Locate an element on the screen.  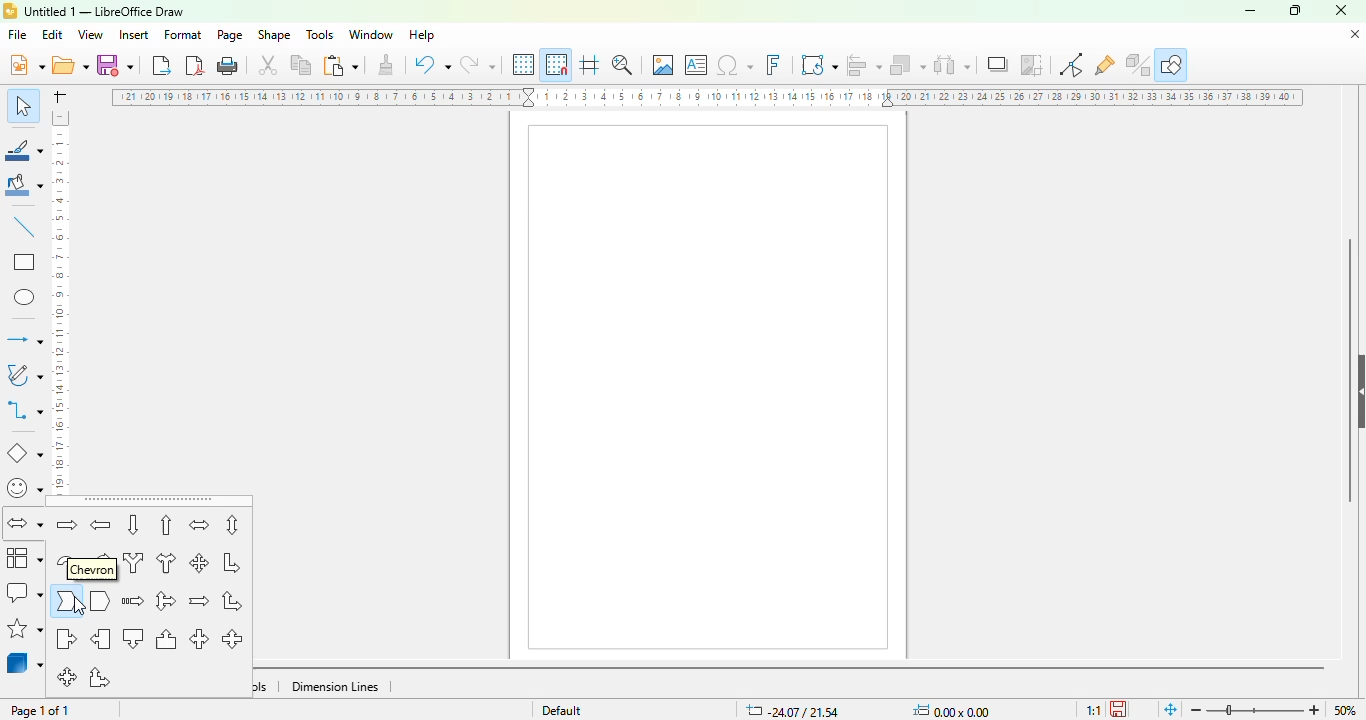
X&Y coordinates is located at coordinates (791, 710).